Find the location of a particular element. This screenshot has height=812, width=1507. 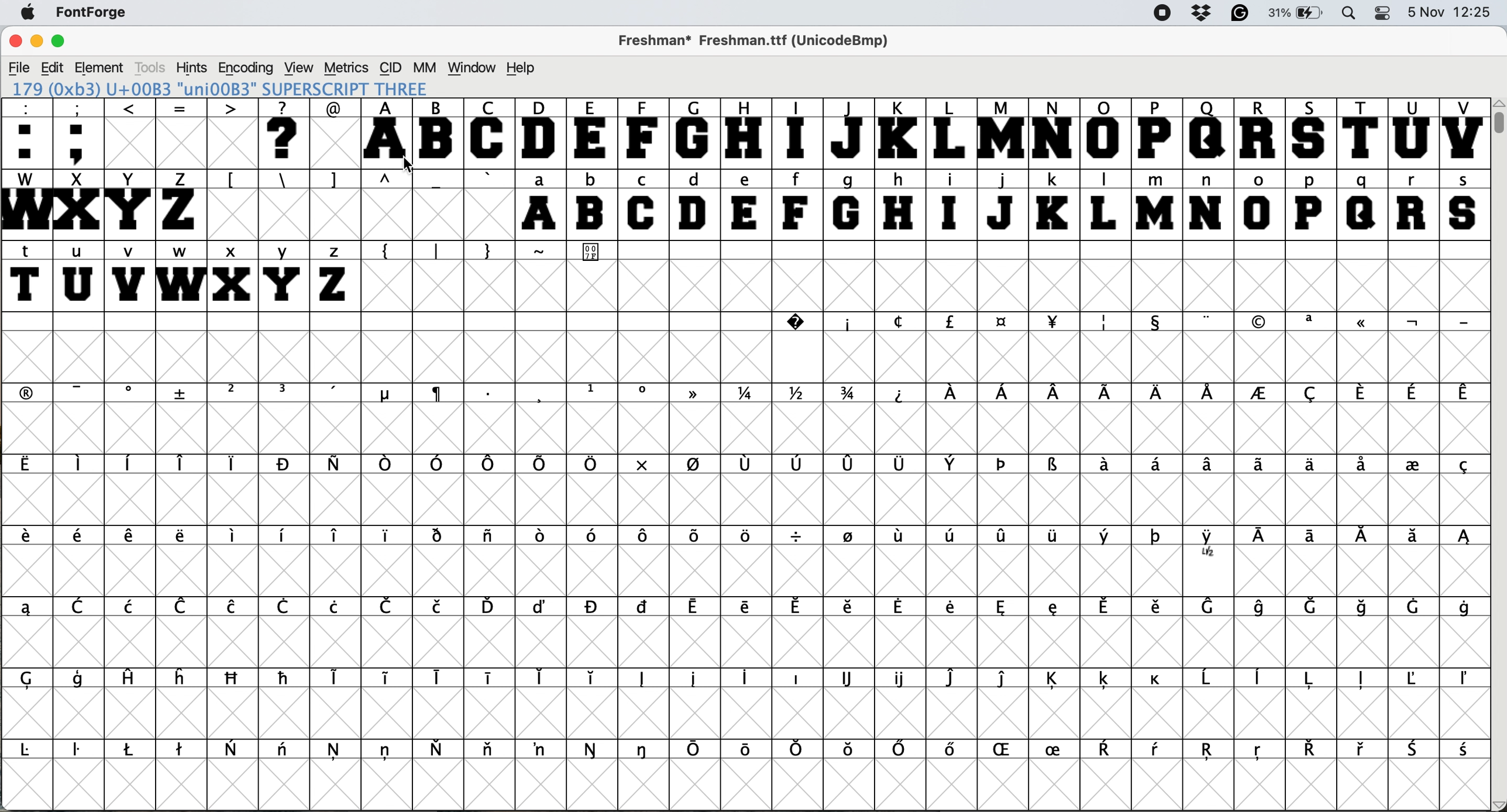

symbol is located at coordinates (1107, 607).